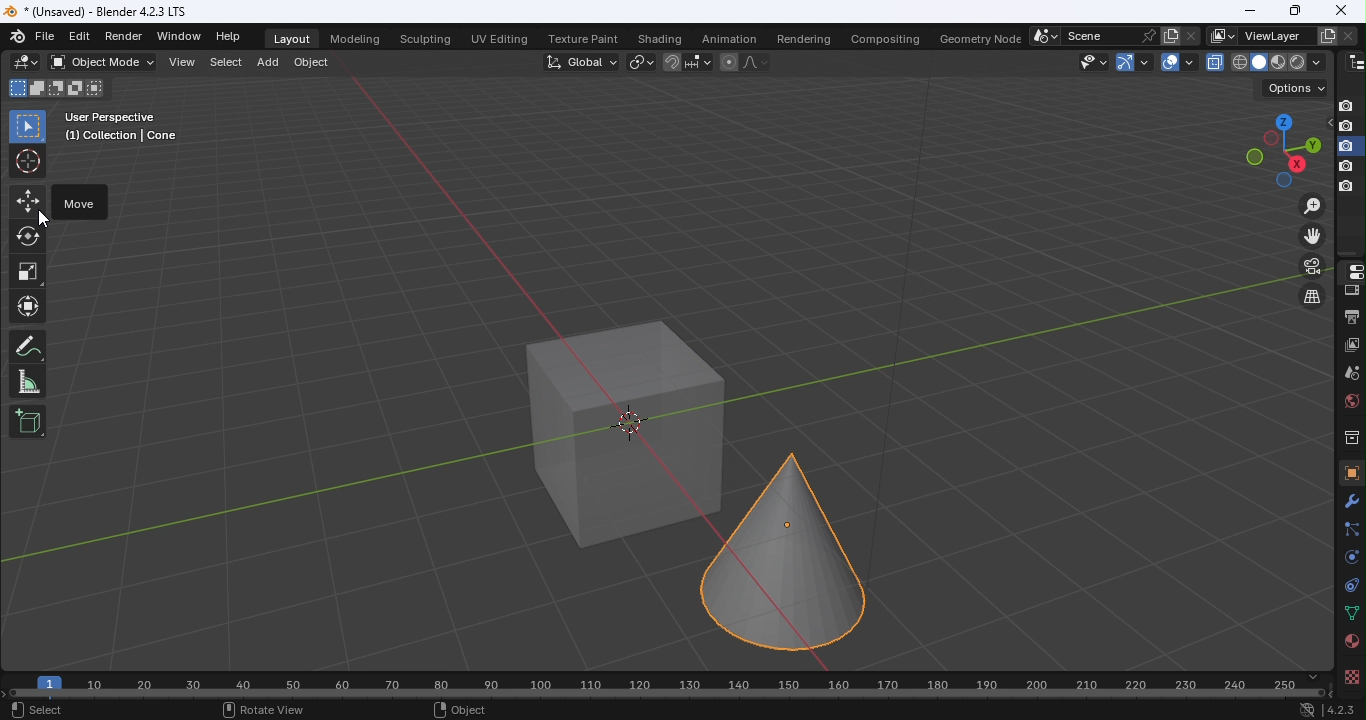 The image size is (1366, 720). What do you see at coordinates (1283, 182) in the screenshot?
I see `Rotate the view` at bounding box center [1283, 182].